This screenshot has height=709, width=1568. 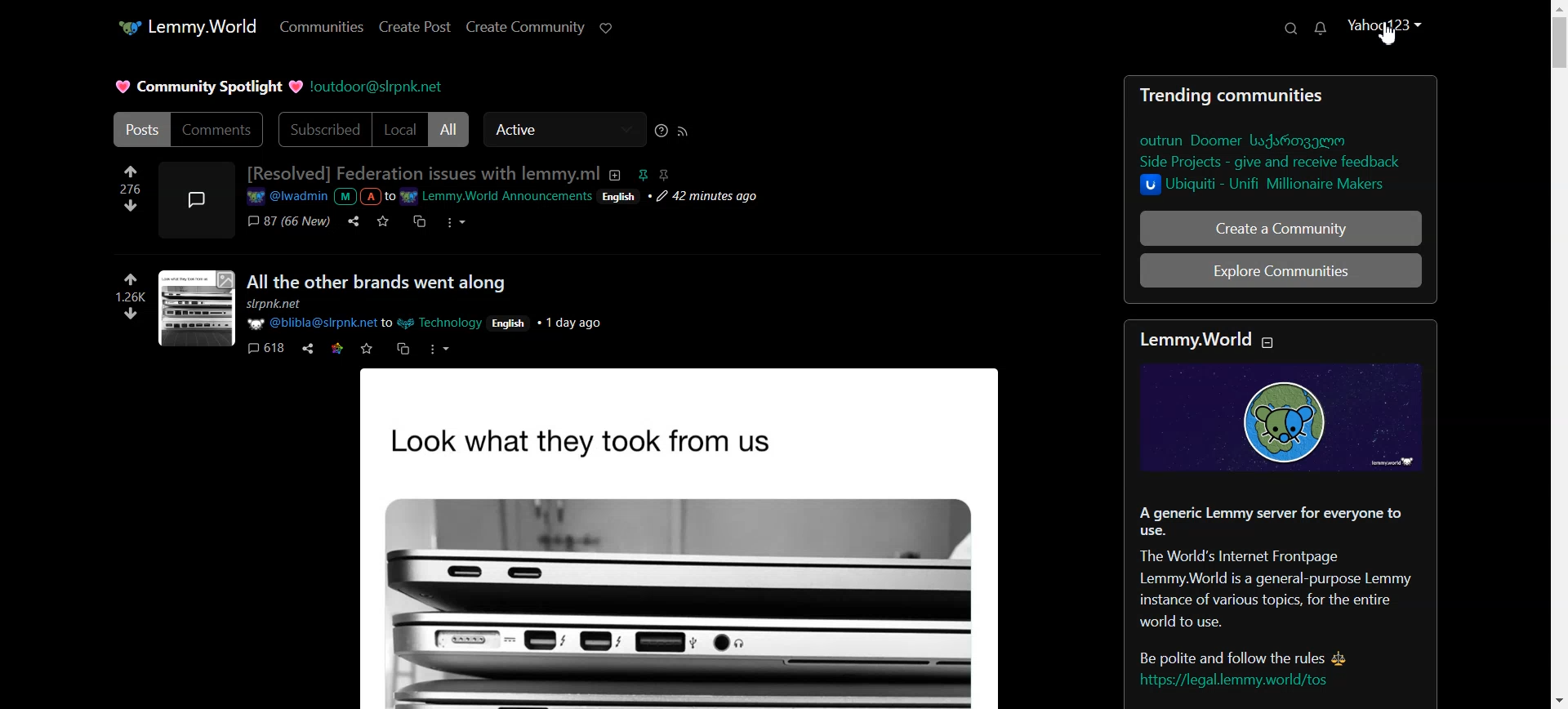 I want to click on Upvote, so click(x=128, y=178).